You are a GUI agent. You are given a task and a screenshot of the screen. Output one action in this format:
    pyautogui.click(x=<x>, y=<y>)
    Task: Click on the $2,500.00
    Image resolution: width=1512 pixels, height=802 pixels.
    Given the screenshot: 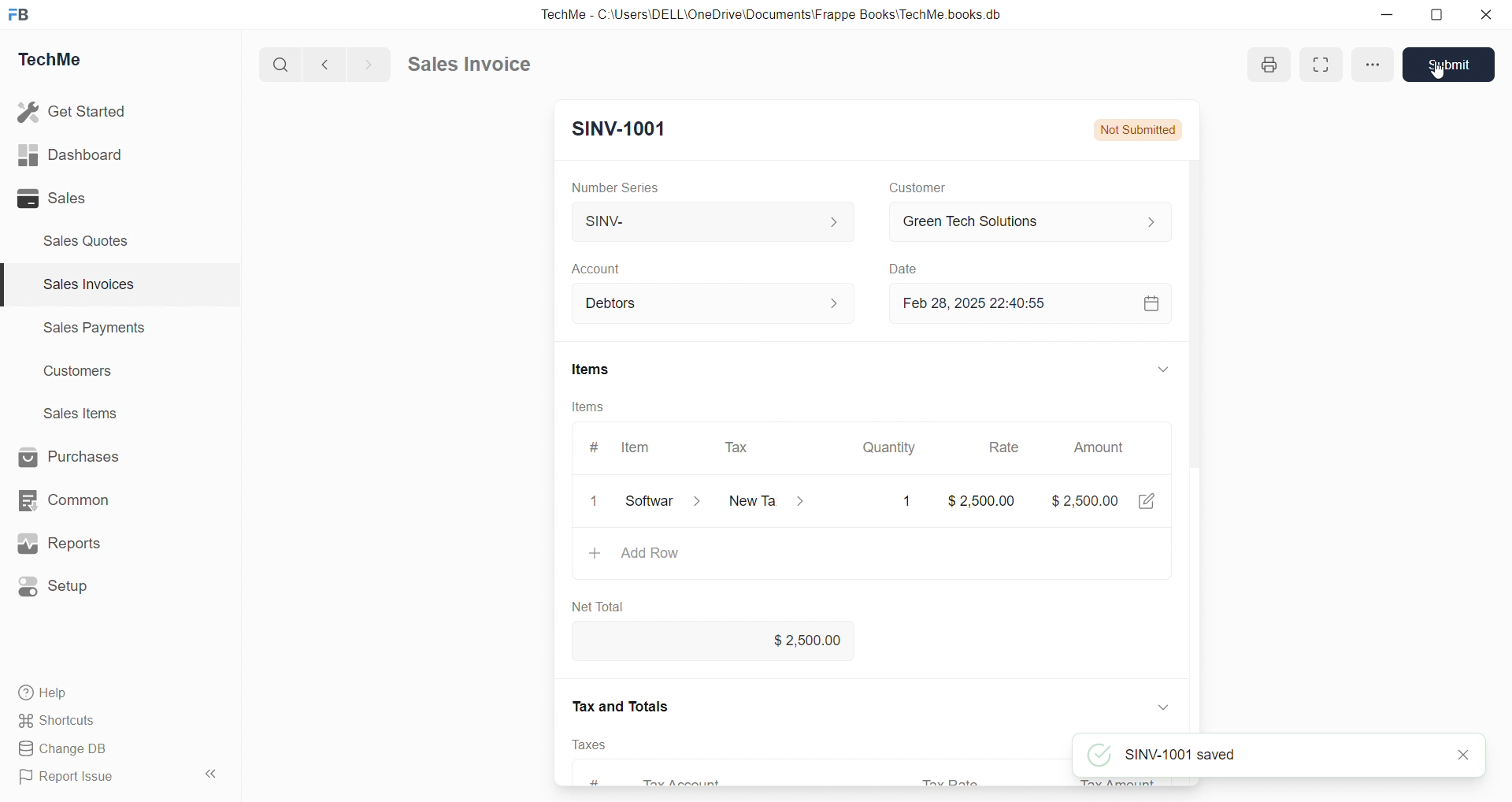 What is the action you would take?
    pyautogui.click(x=984, y=500)
    